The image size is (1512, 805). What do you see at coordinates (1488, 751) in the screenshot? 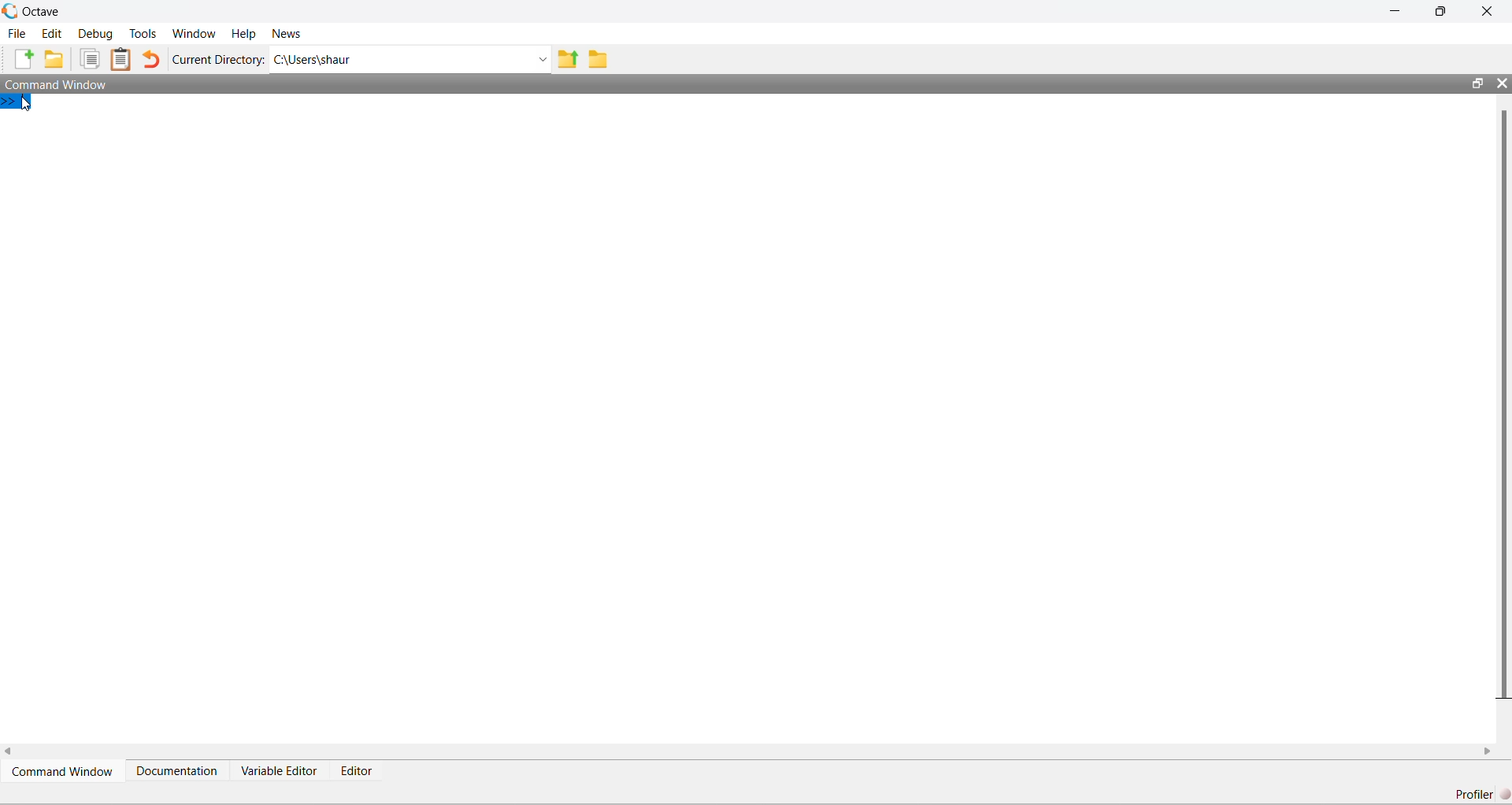
I see `scroll right` at bounding box center [1488, 751].